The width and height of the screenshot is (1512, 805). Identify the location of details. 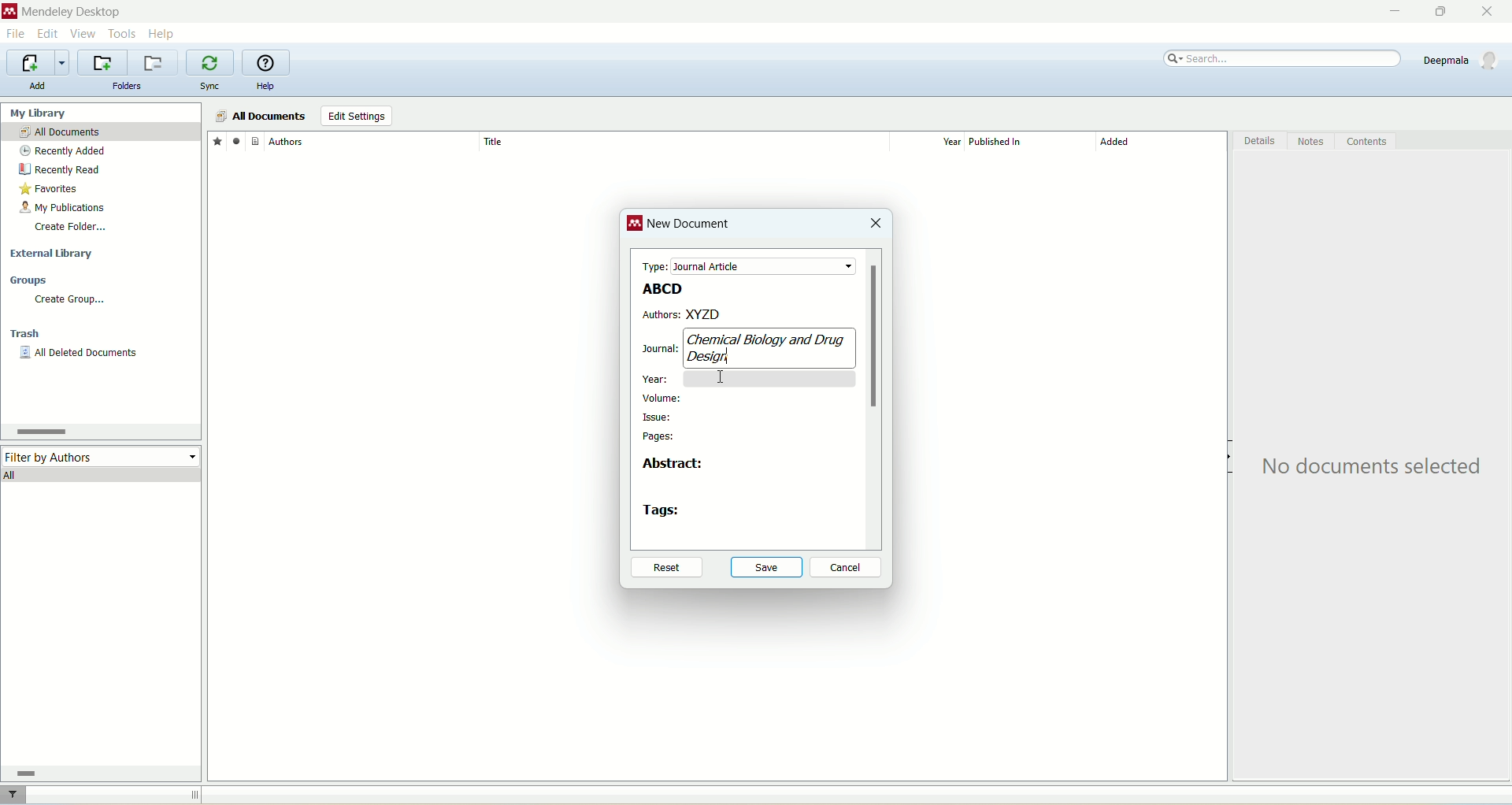
(1261, 143).